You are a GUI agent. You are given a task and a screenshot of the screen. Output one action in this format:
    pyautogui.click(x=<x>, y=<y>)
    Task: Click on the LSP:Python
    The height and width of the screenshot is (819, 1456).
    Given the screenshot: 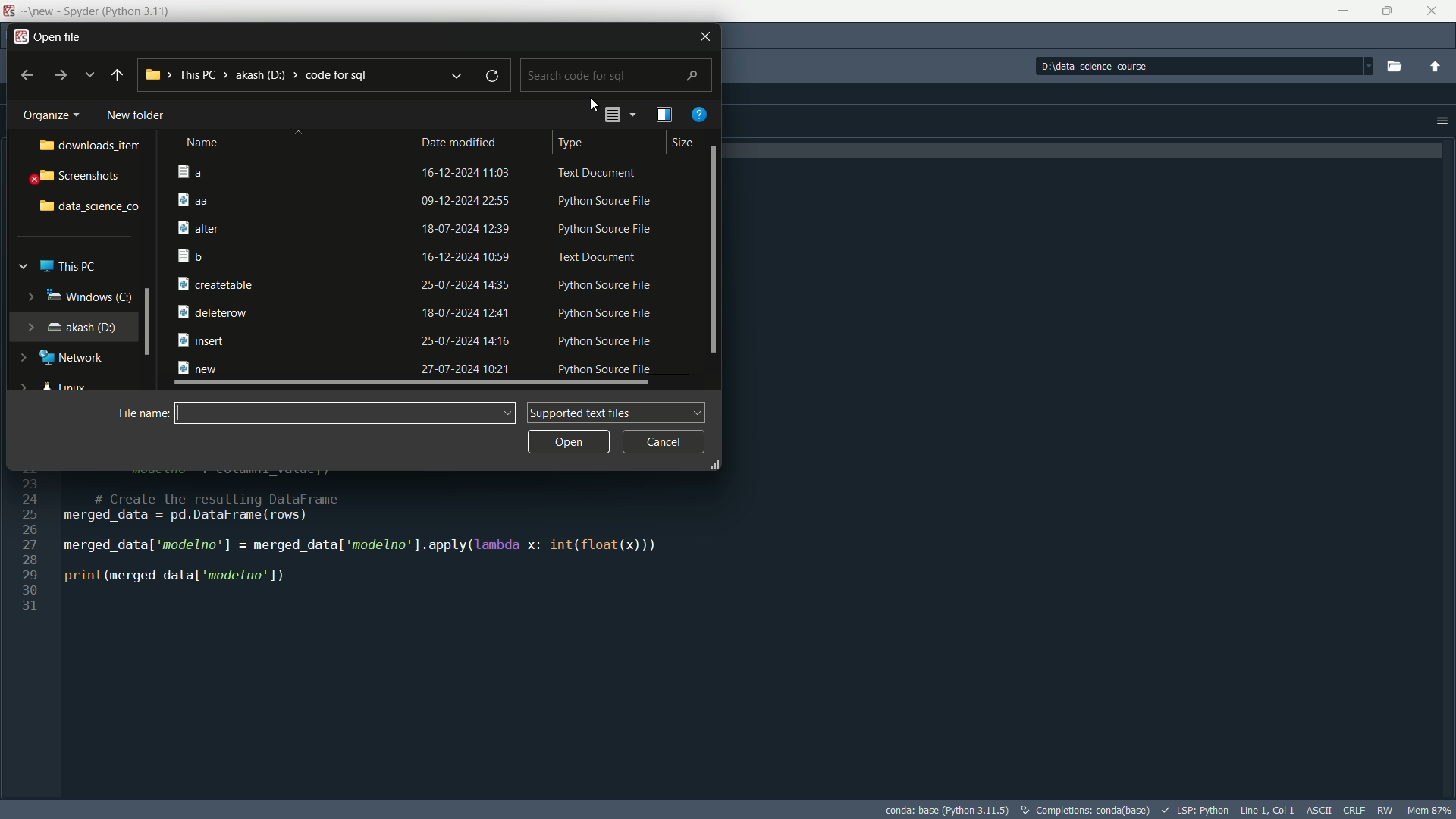 What is the action you would take?
    pyautogui.click(x=1196, y=810)
    